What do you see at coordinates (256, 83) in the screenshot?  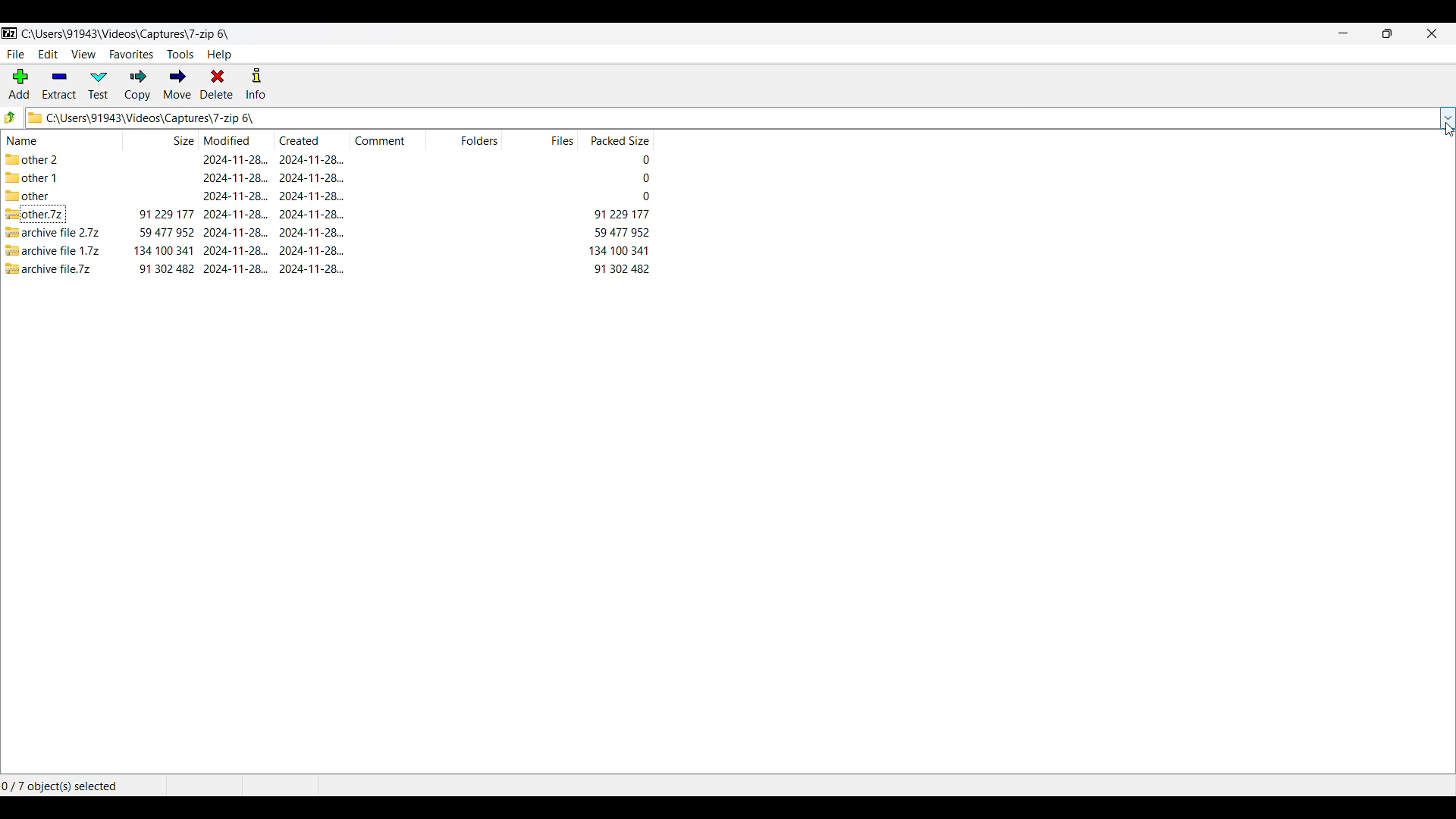 I see `Info` at bounding box center [256, 83].